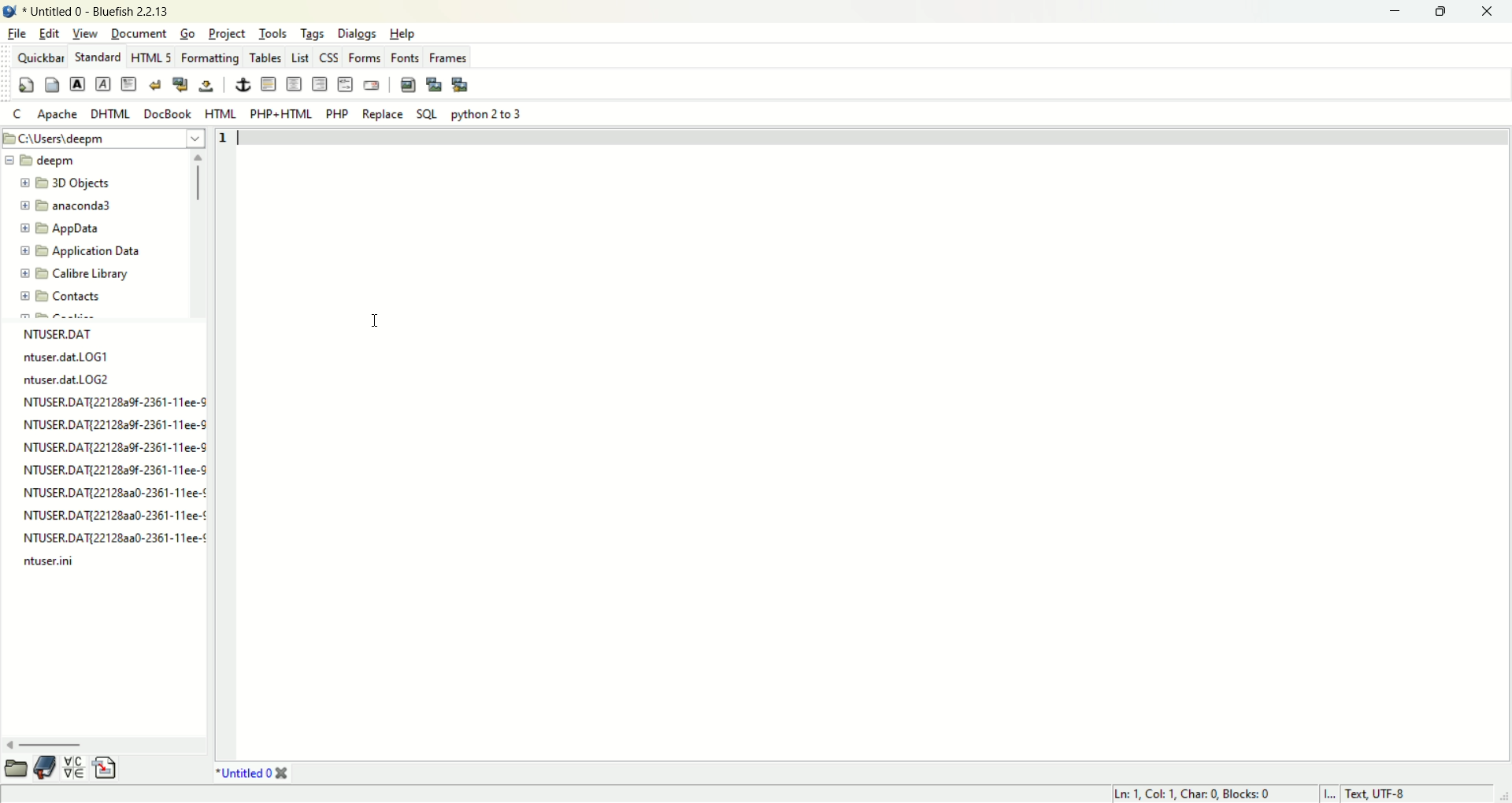  I want to click on bookmark, so click(49, 768).